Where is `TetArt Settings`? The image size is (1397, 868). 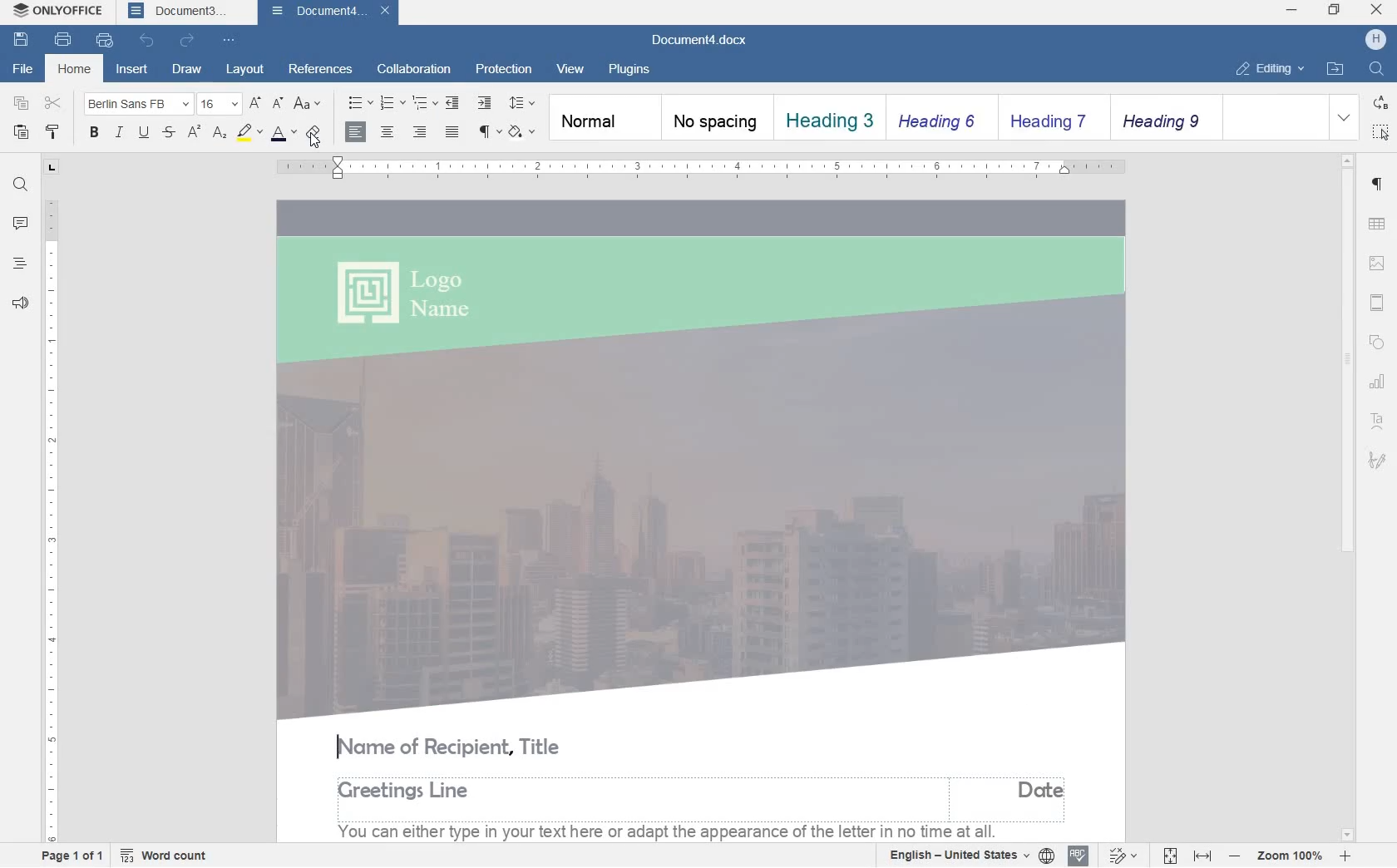
TetArt Settings is located at coordinates (1378, 420).